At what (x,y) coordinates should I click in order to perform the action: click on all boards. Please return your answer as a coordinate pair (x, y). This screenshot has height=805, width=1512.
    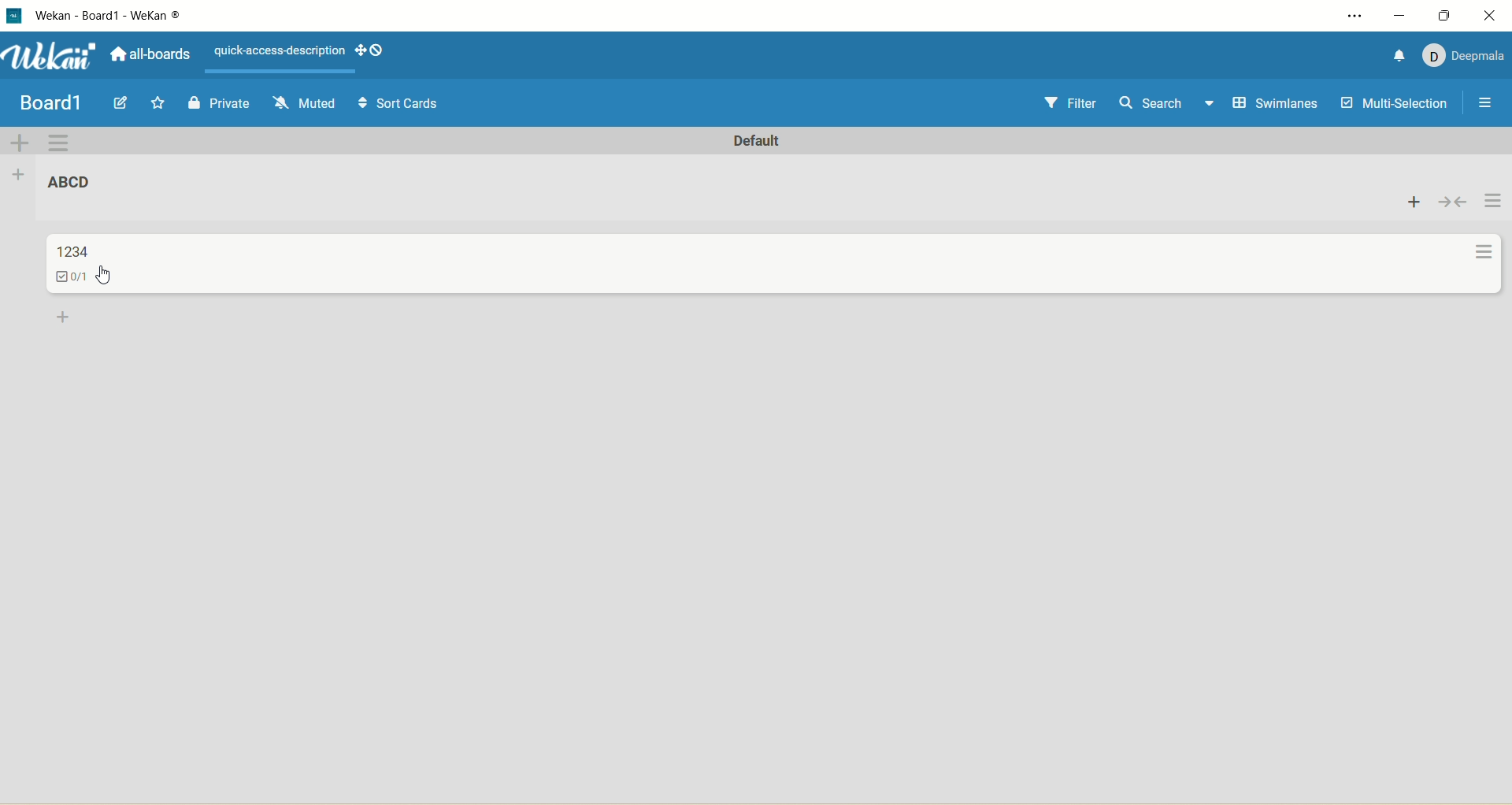
    Looking at the image, I should click on (147, 54).